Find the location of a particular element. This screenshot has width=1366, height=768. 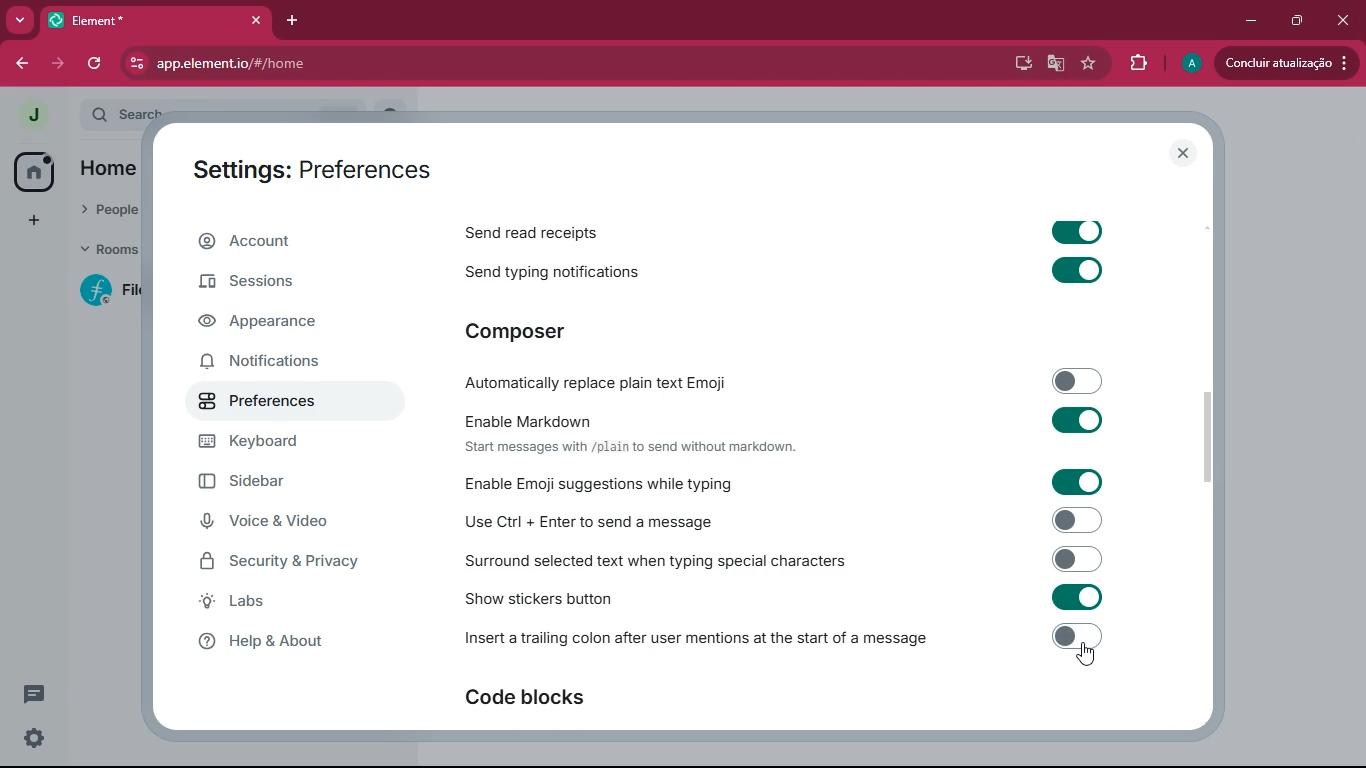

Send read receipts is located at coordinates (792, 228).